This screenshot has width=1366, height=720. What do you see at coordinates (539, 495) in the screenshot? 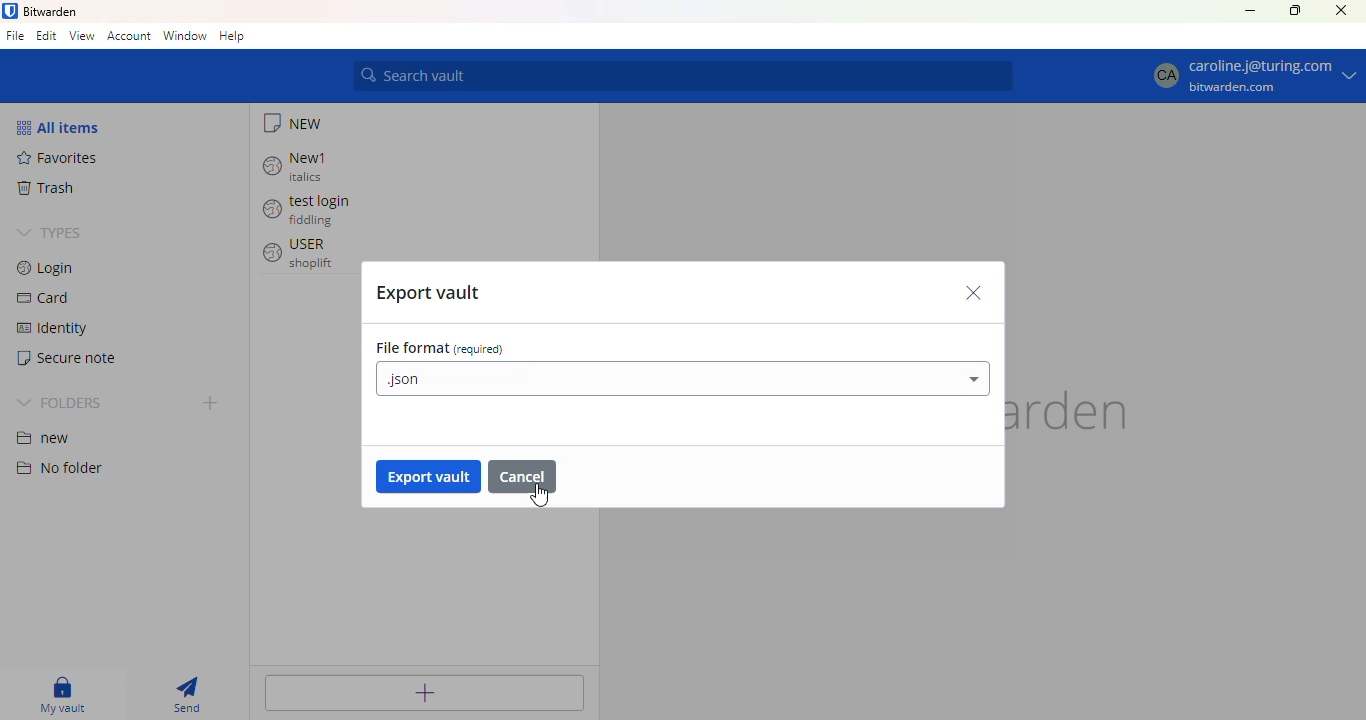
I see `cursor` at bounding box center [539, 495].